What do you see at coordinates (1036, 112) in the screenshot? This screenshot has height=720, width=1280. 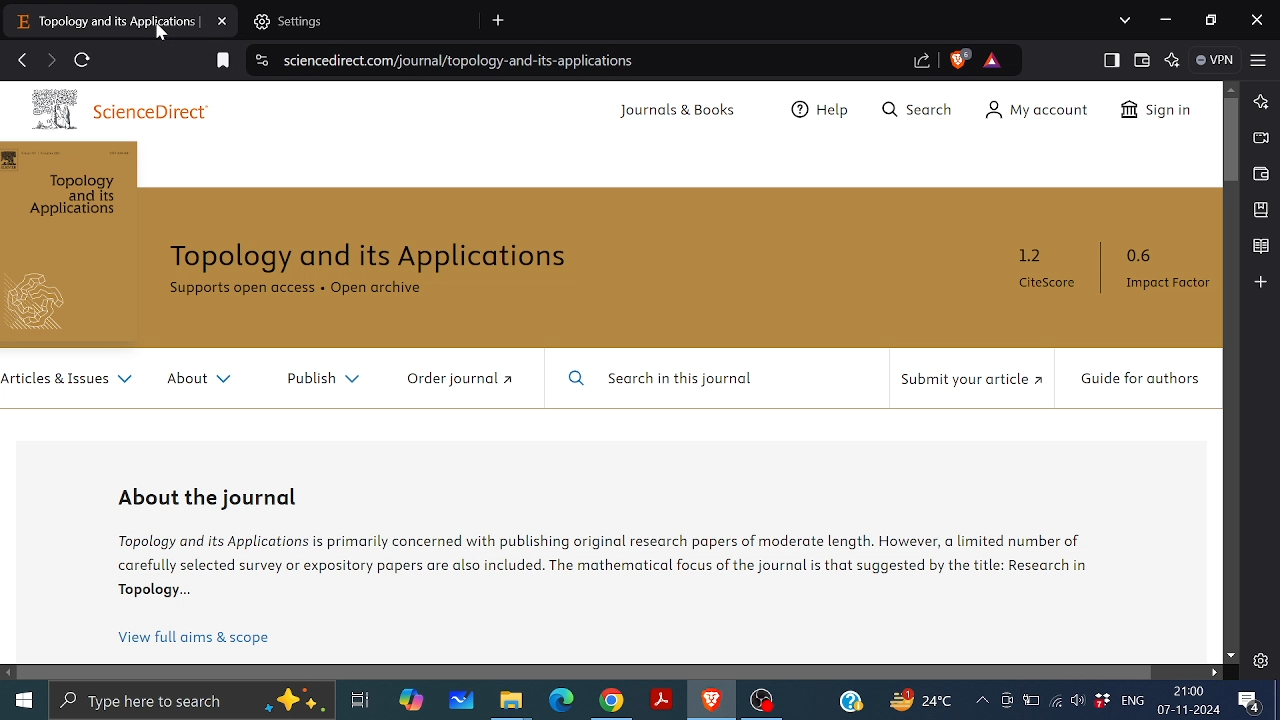 I see ` My account` at bounding box center [1036, 112].